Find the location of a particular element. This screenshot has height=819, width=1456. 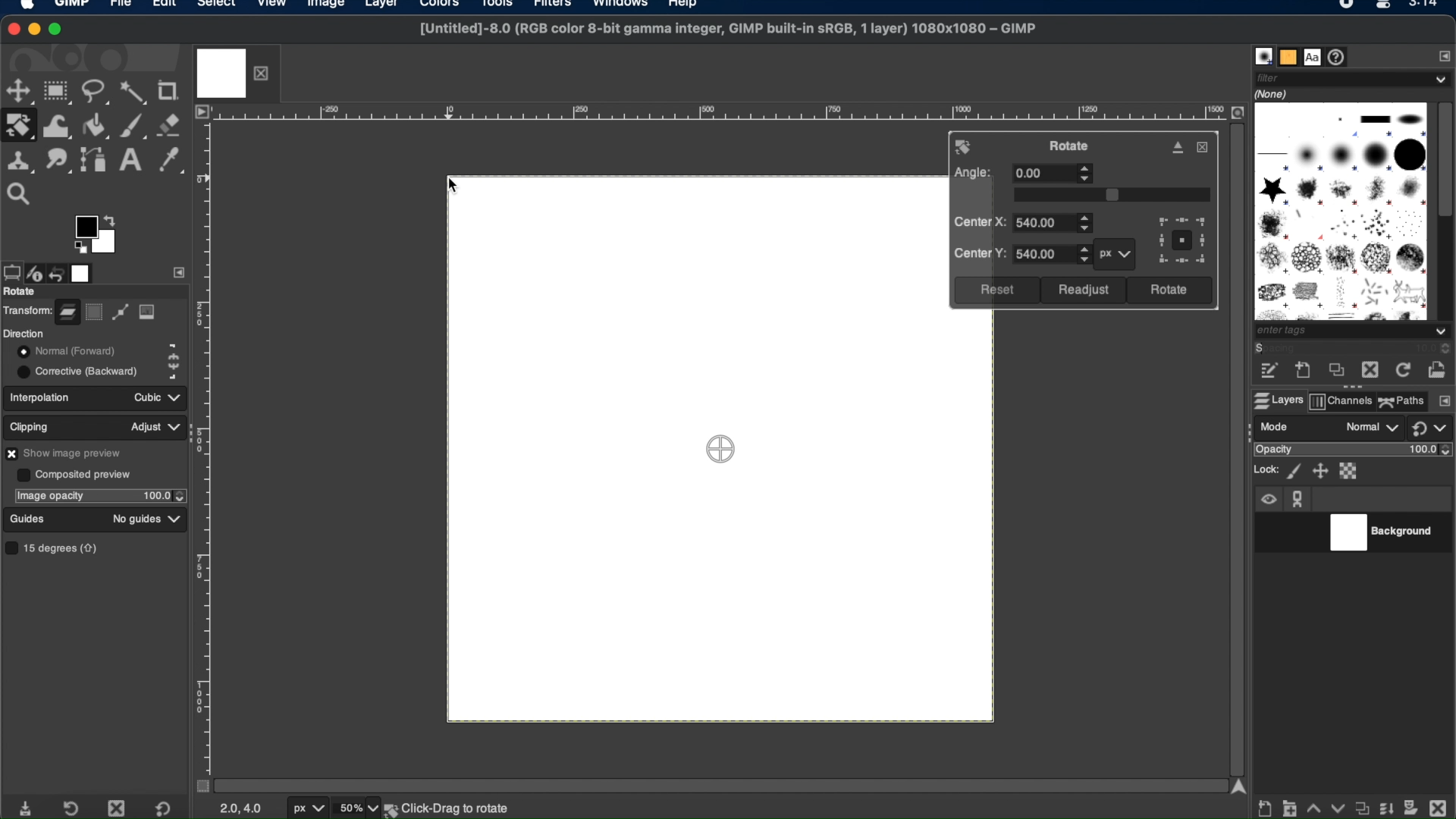

corrective backward toggle is located at coordinates (79, 371).